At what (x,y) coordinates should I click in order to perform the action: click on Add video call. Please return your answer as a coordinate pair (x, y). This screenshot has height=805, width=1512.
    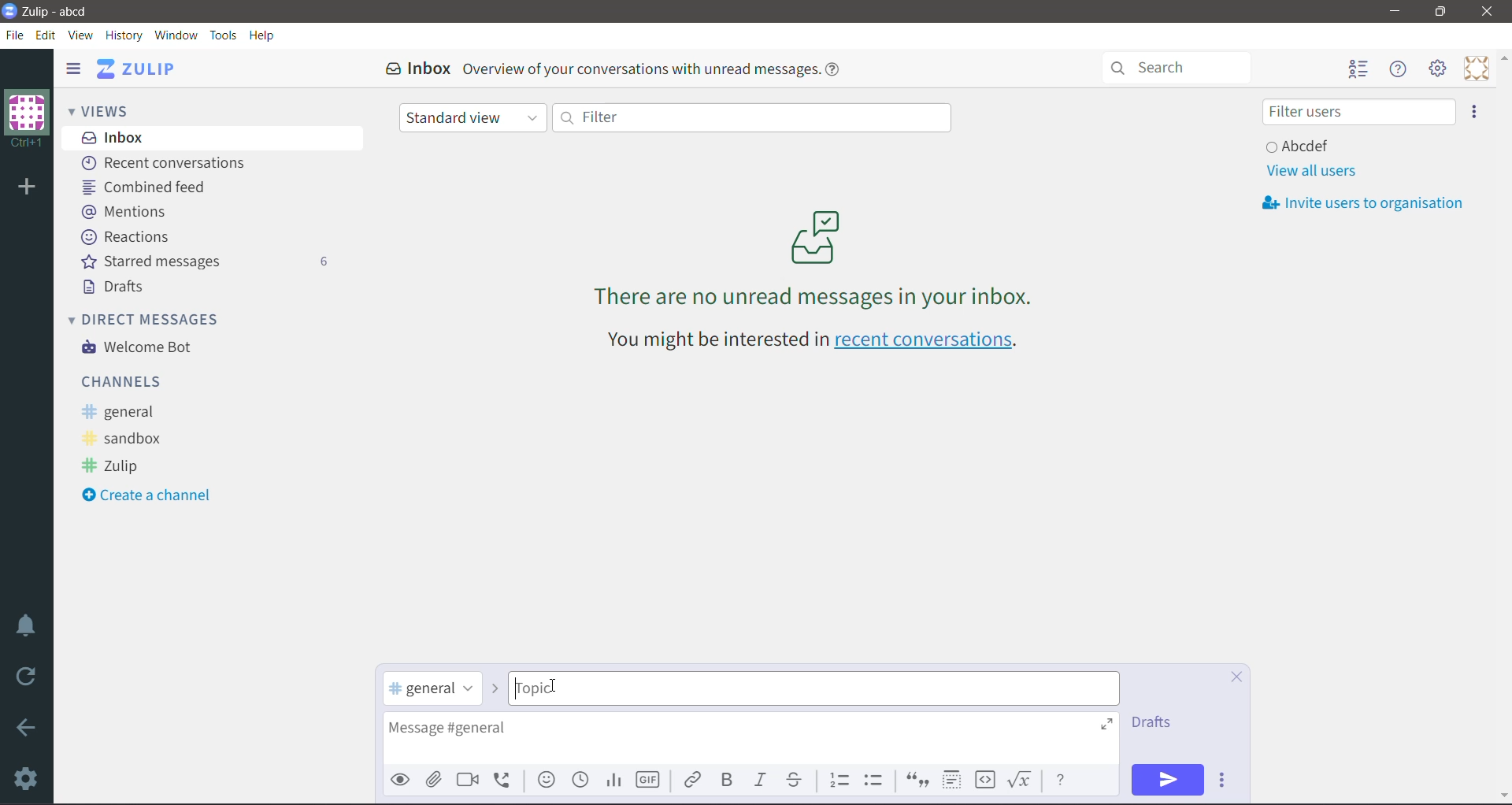
    Looking at the image, I should click on (466, 780).